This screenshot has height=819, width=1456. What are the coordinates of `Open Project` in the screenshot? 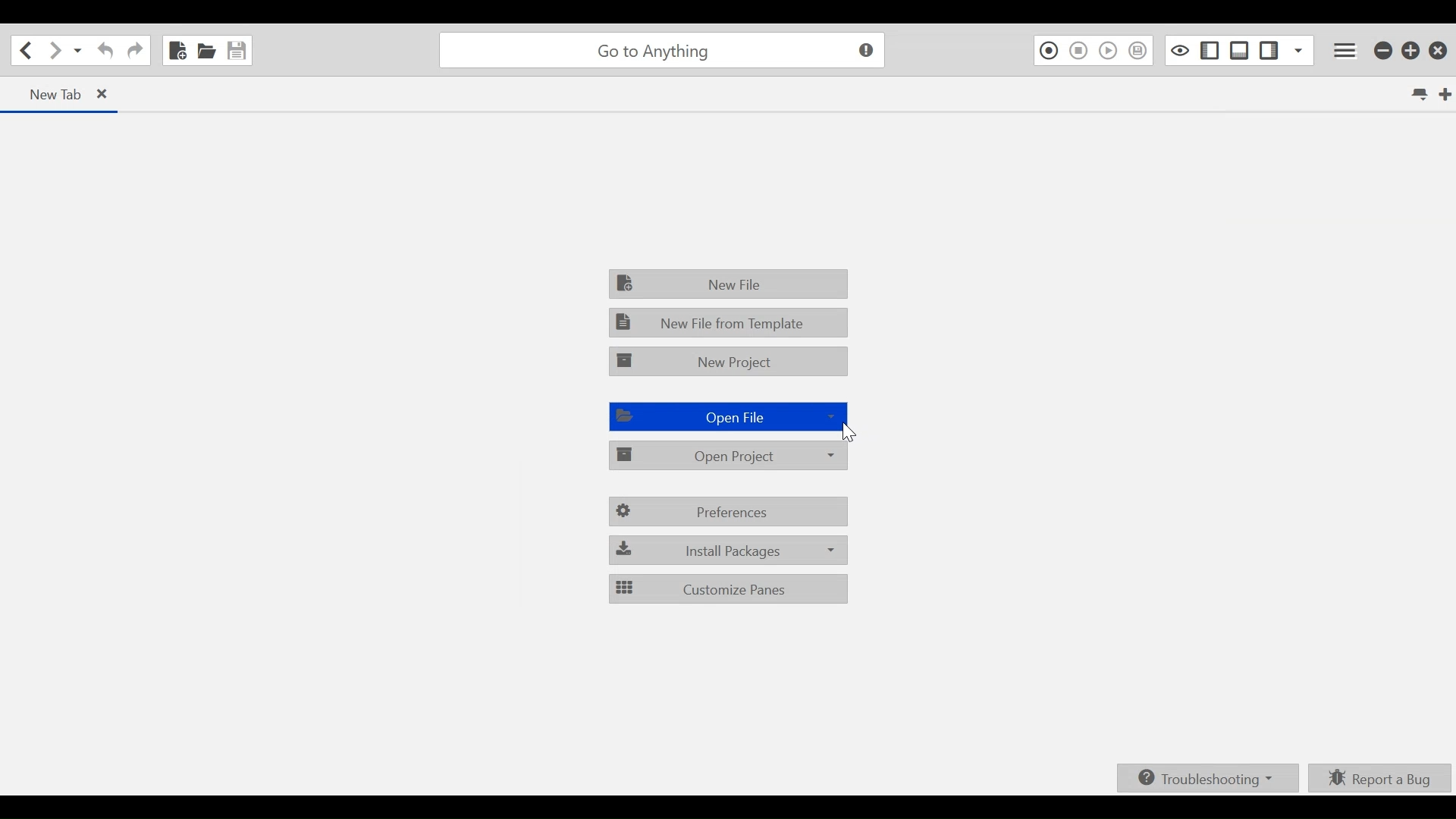 It's located at (730, 457).